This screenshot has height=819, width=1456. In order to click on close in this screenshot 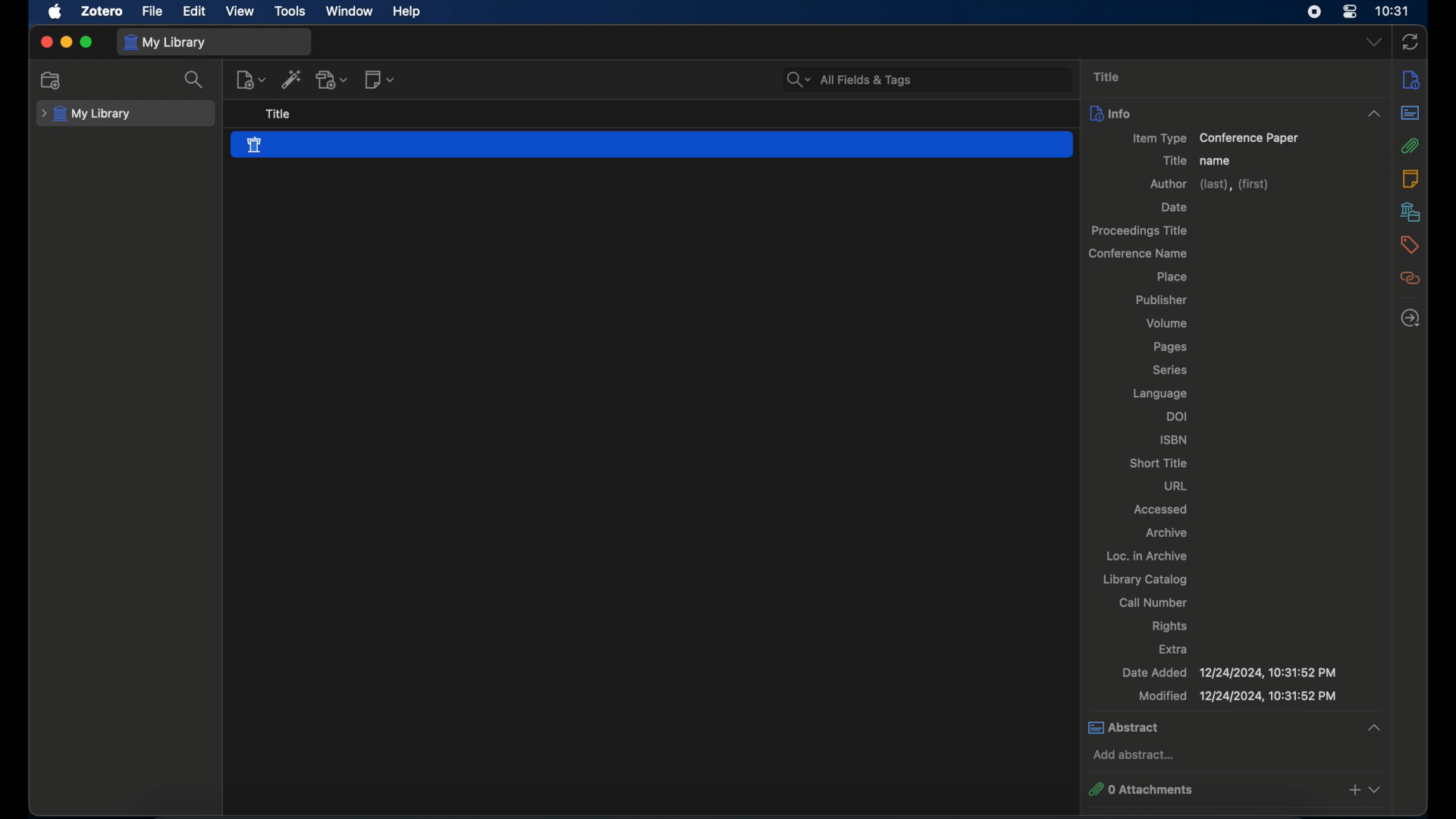, I will do `click(45, 43)`.